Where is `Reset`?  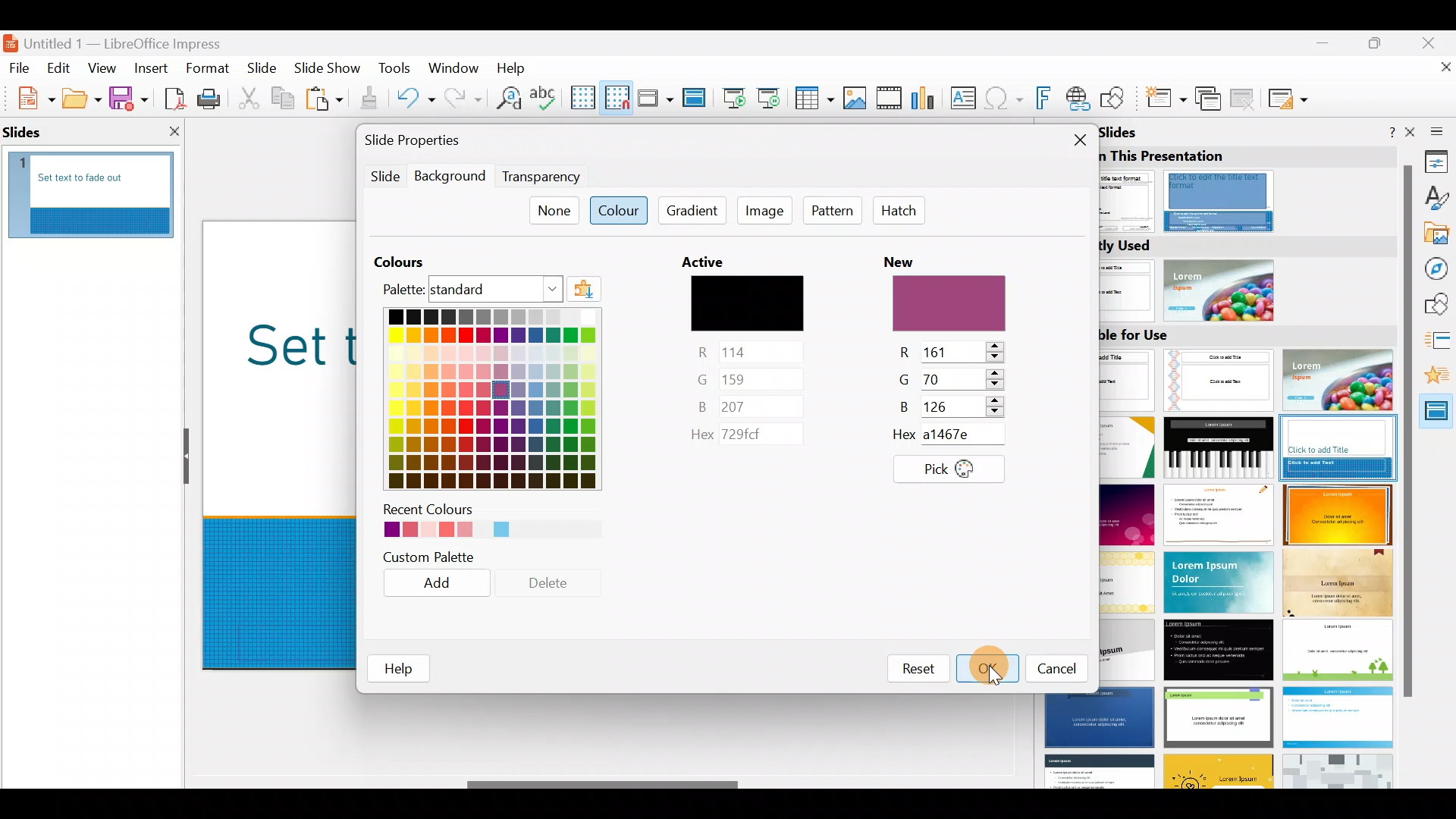 Reset is located at coordinates (915, 666).